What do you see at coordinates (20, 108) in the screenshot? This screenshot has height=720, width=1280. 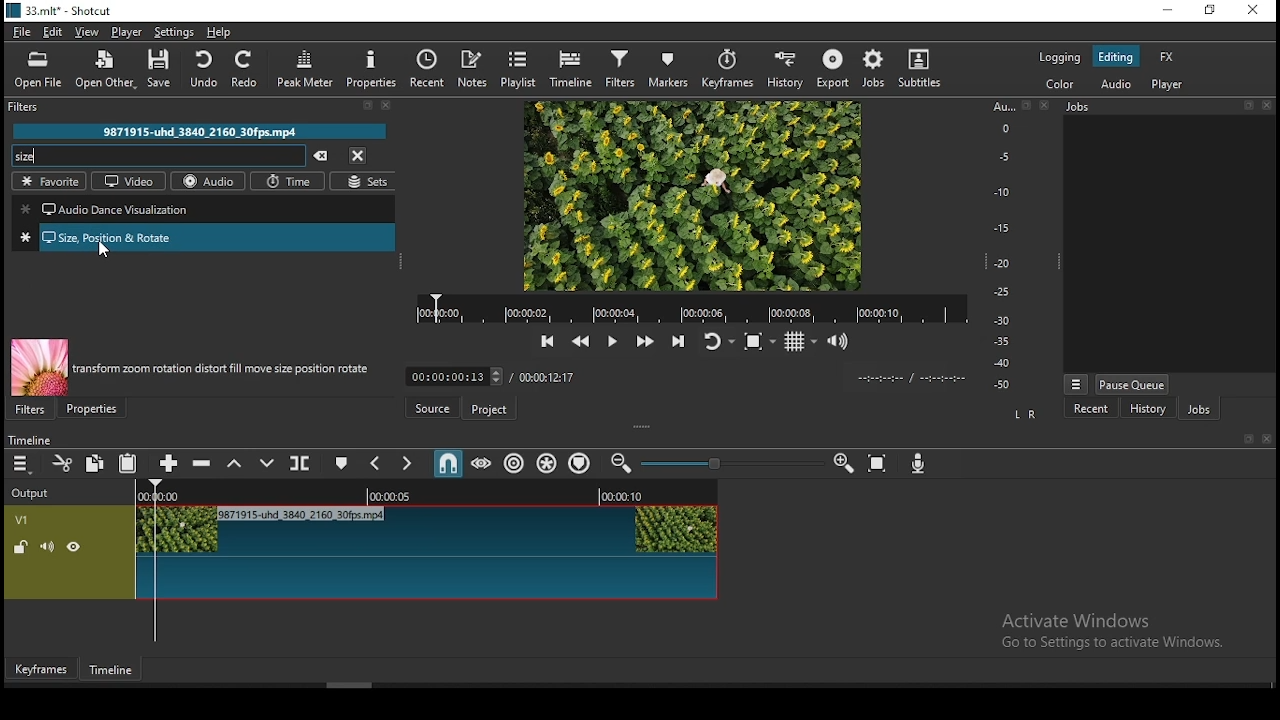 I see `filters` at bounding box center [20, 108].